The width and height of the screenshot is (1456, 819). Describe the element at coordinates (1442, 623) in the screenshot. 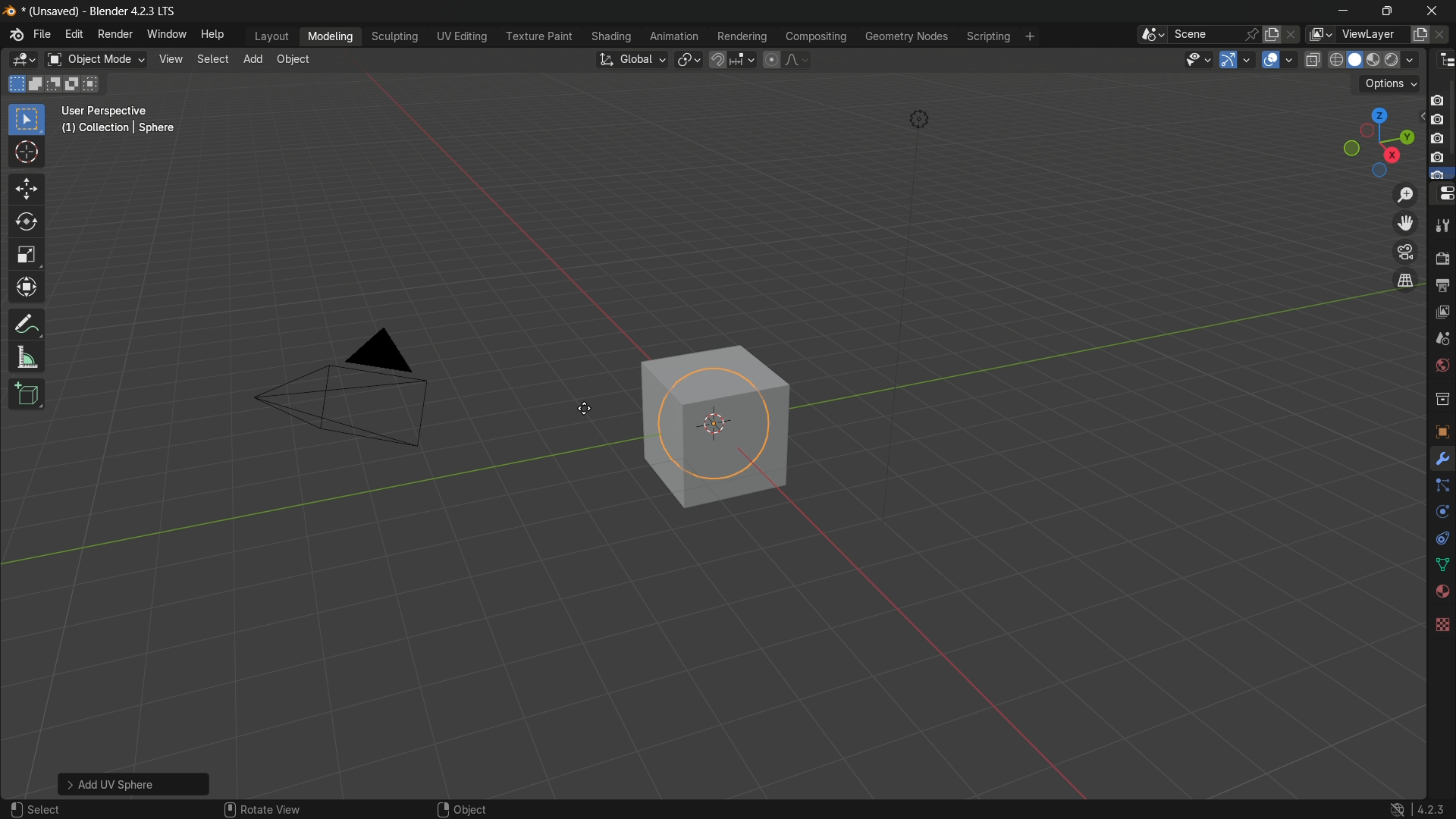

I see `Texture Properties` at that location.